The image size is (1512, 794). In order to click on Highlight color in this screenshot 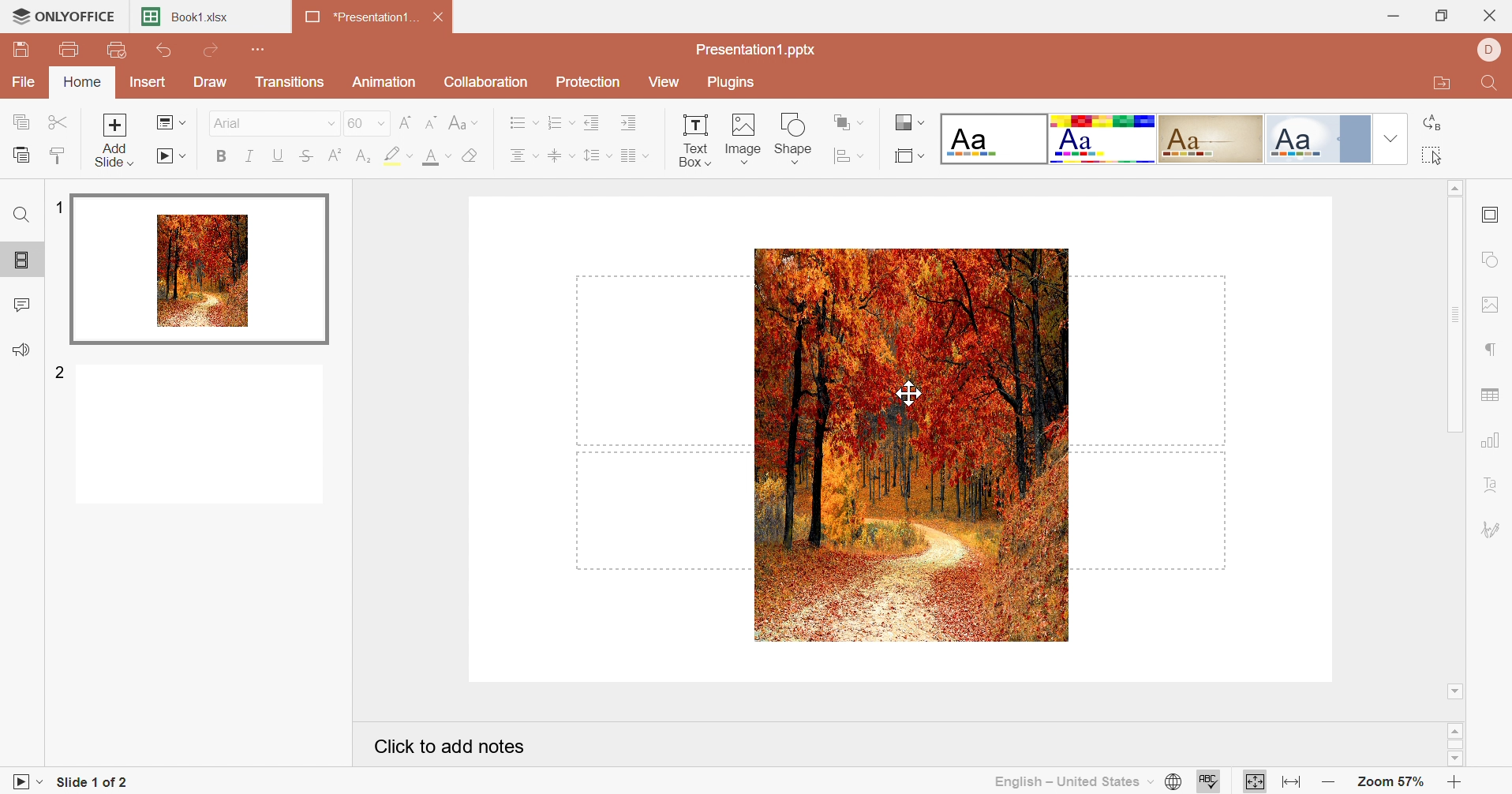, I will do `click(395, 155)`.